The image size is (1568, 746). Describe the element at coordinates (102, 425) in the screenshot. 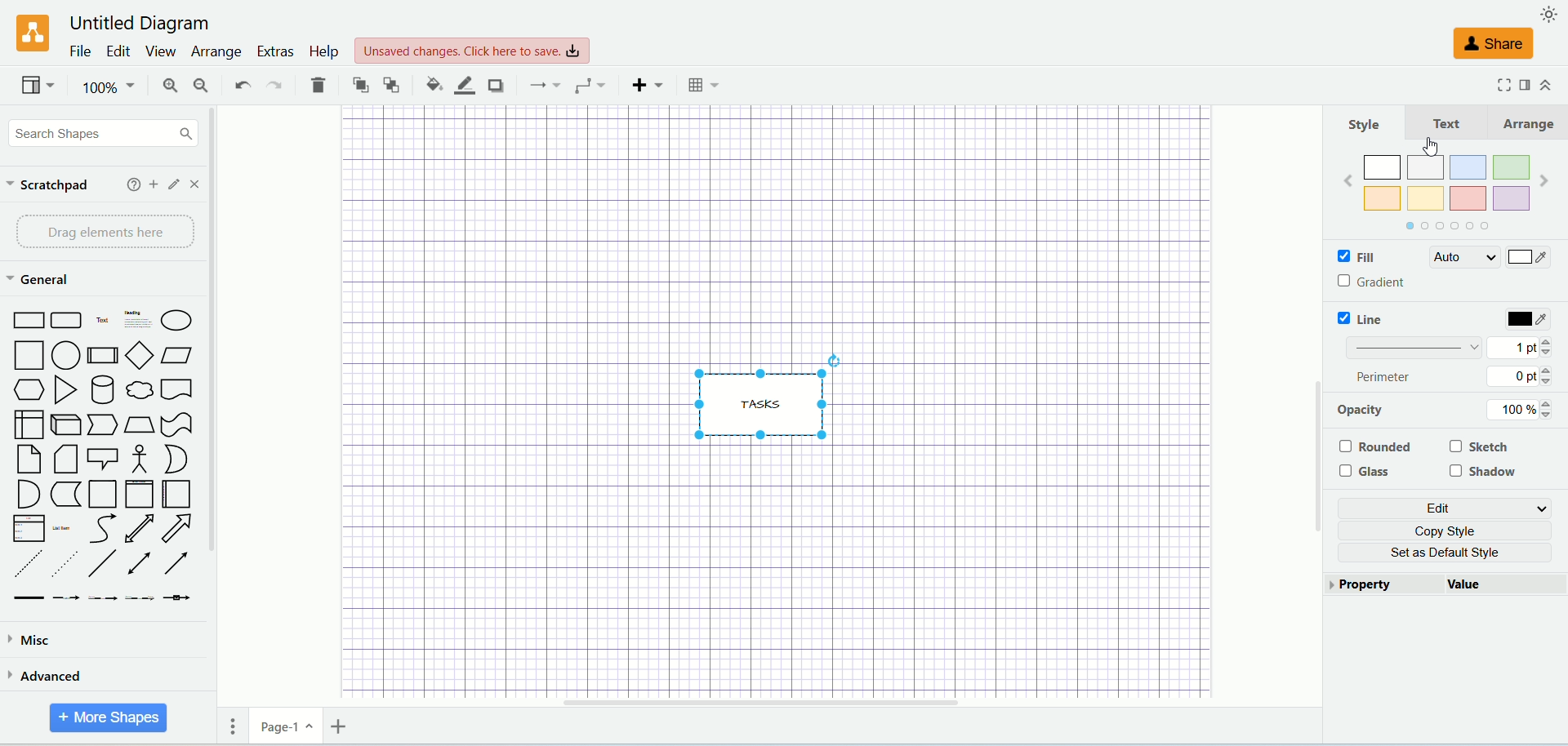

I see `Step` at that location.